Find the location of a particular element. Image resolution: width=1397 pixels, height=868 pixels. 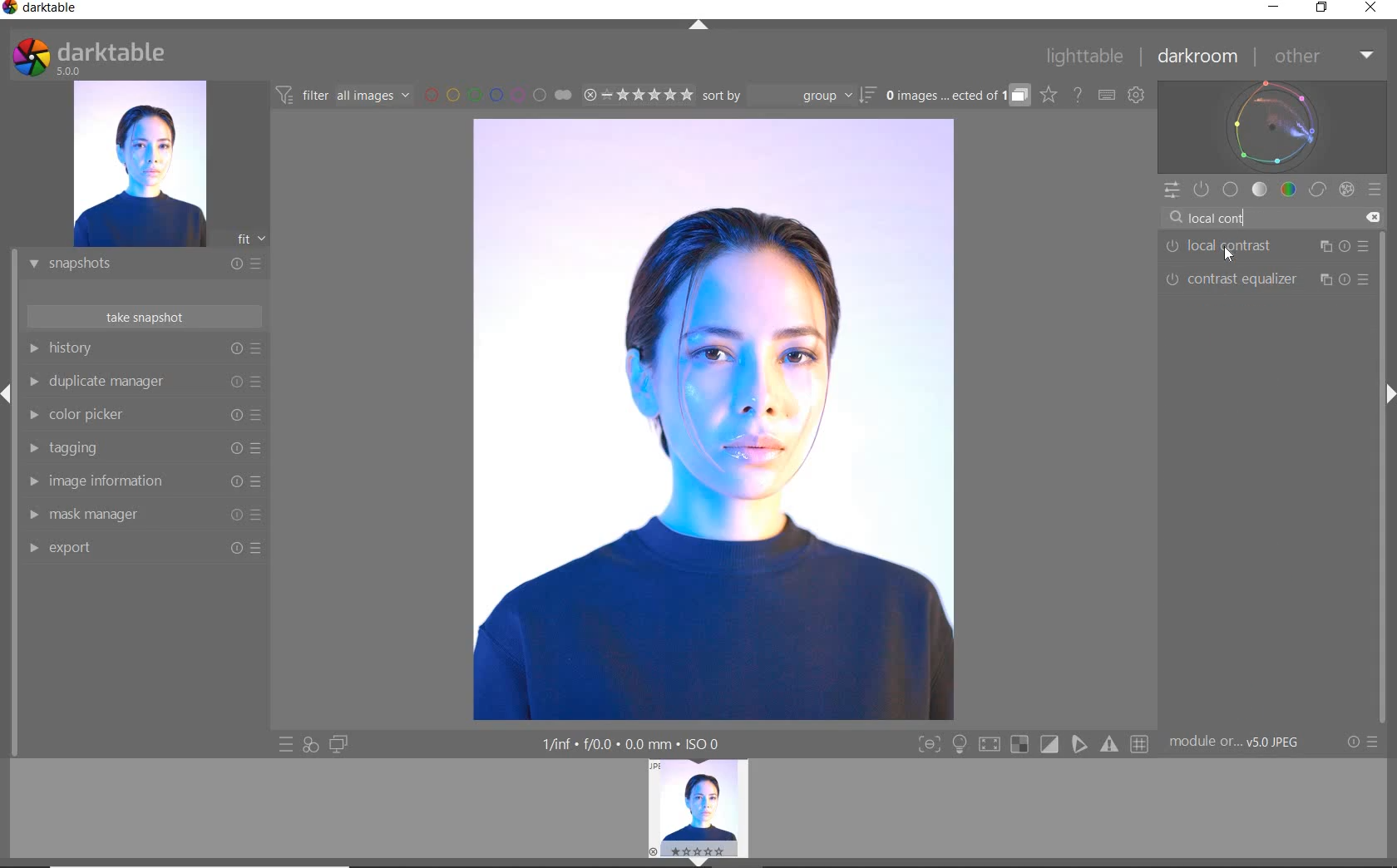

LOCAL CONTRAST is located at coordinates (1267, 247).